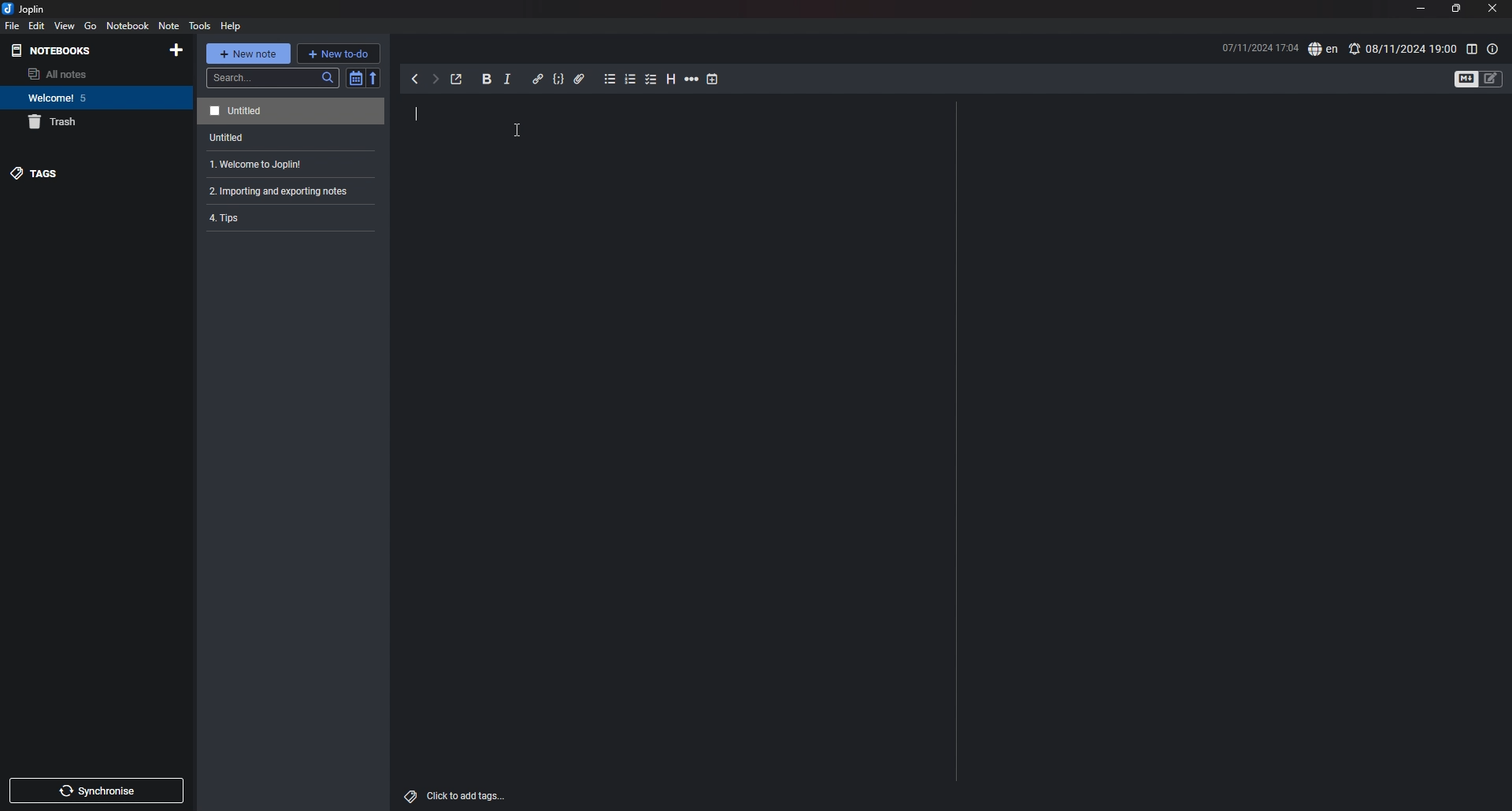 The height and width of the screenshot is (811, 1512). Describe the element at coordinates (292, 164) in the screenshot. I see `note` at that location.